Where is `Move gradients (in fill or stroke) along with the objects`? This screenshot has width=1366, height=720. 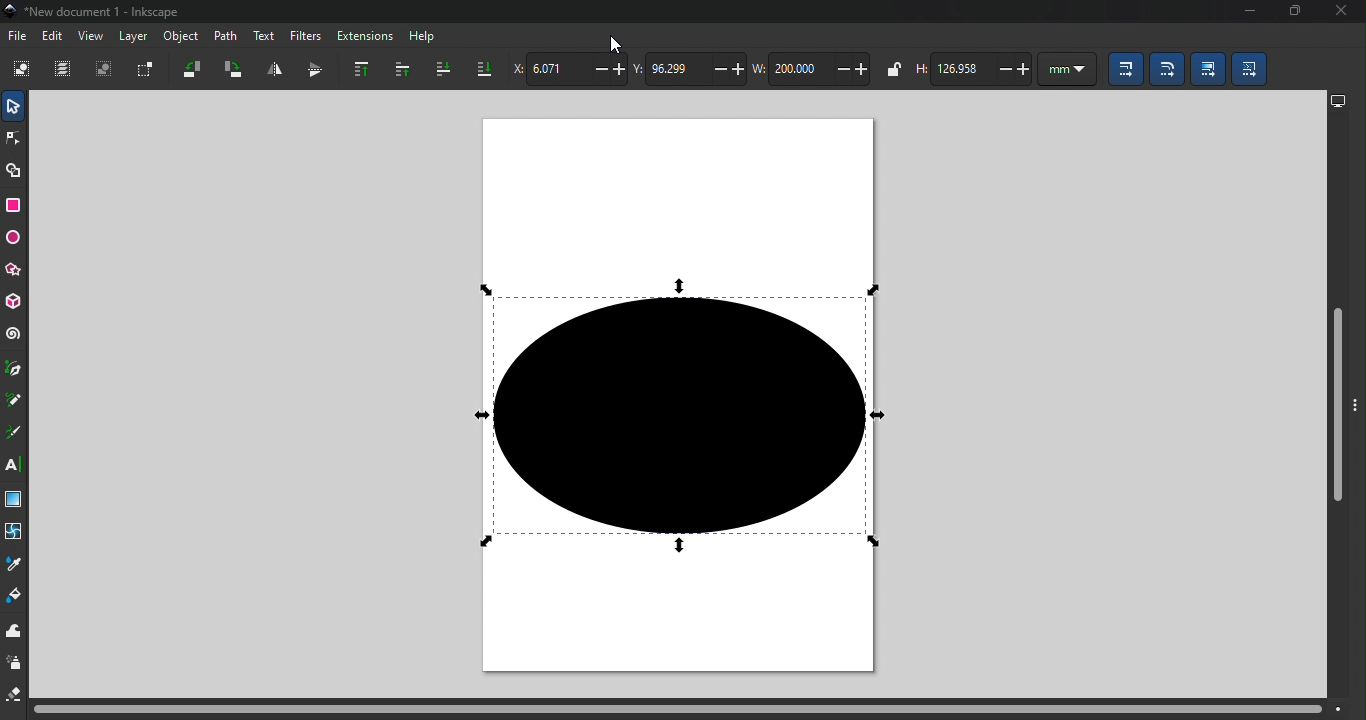 Move gradients (in fill or stroke) along with the objects is located at coordinates (1209, 70).